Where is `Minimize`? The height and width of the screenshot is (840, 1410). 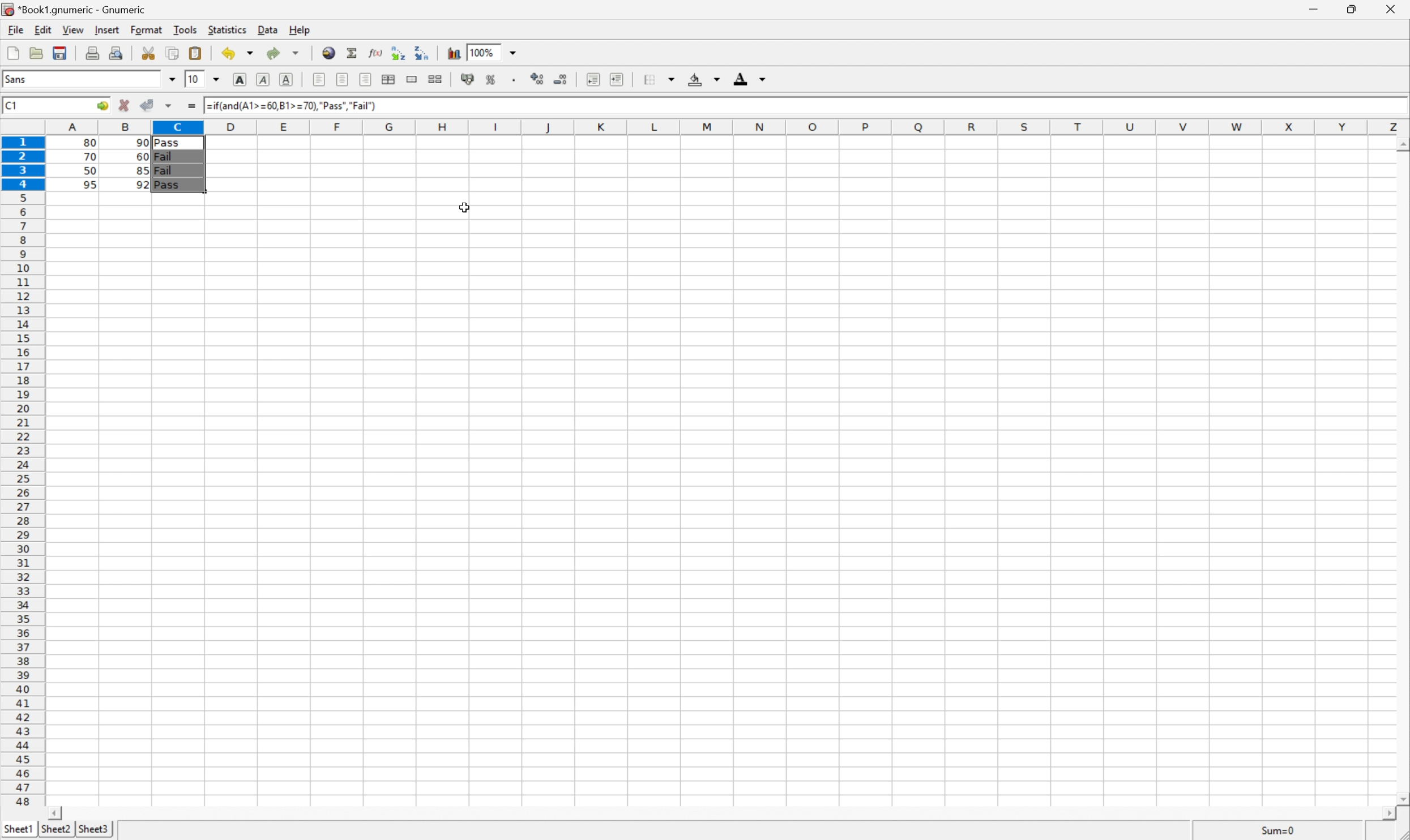 Minimize is located at coordinates (1314, 7).